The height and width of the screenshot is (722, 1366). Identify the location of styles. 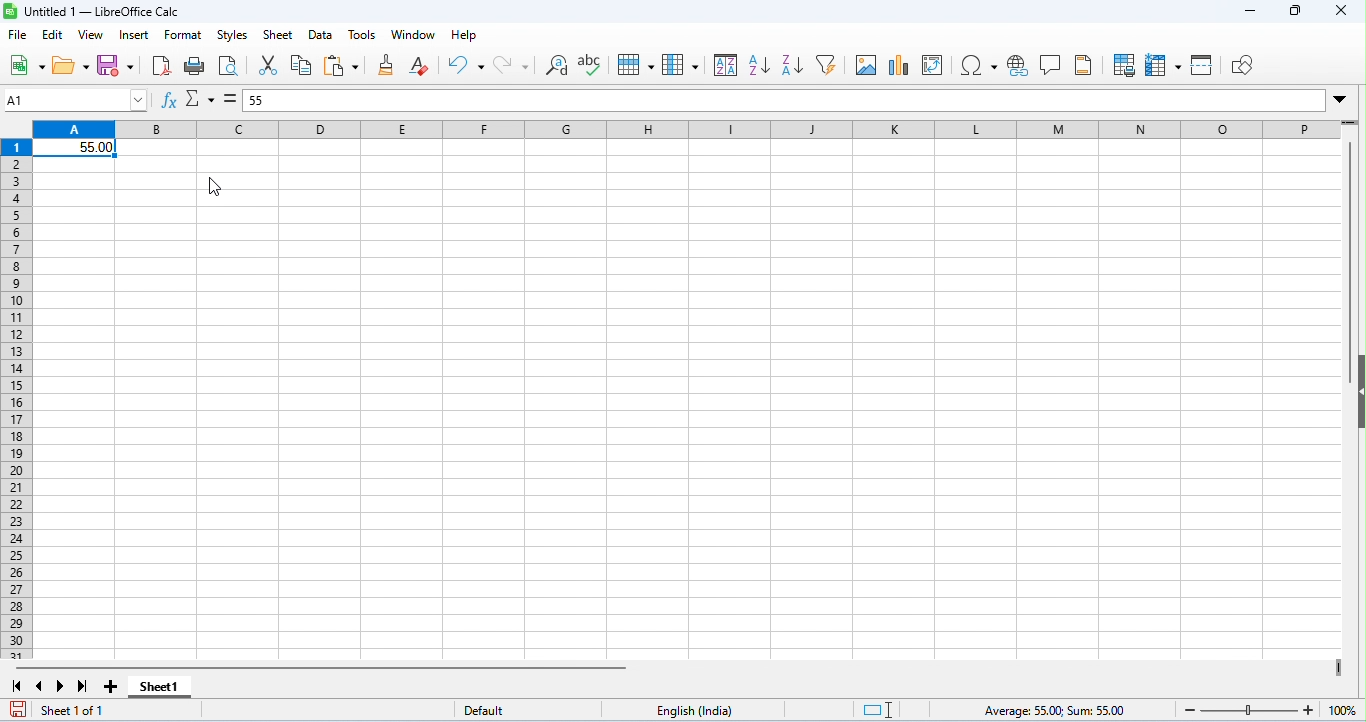
(232, 34).